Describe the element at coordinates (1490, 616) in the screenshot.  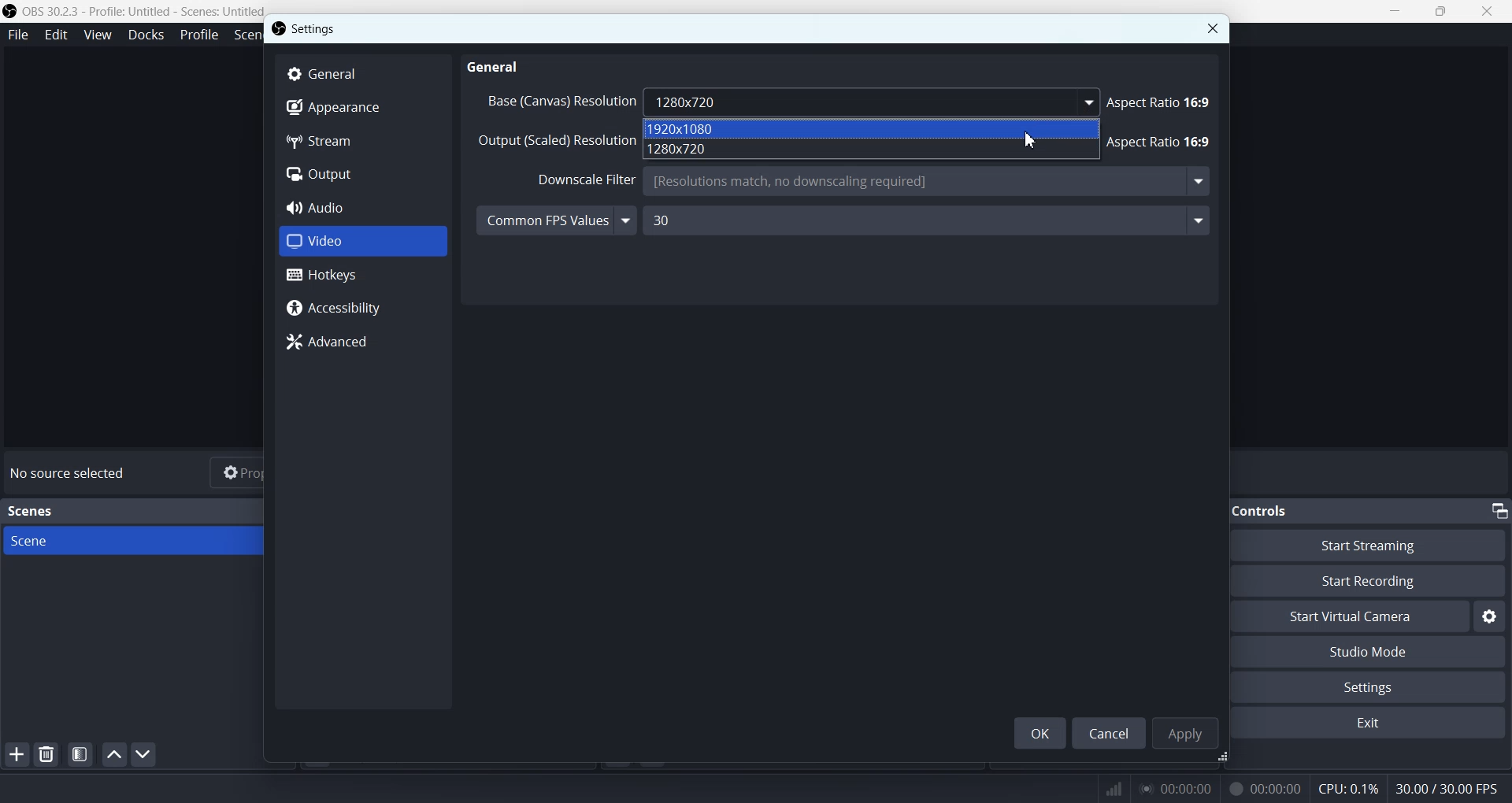
I see `Settings` at that location.